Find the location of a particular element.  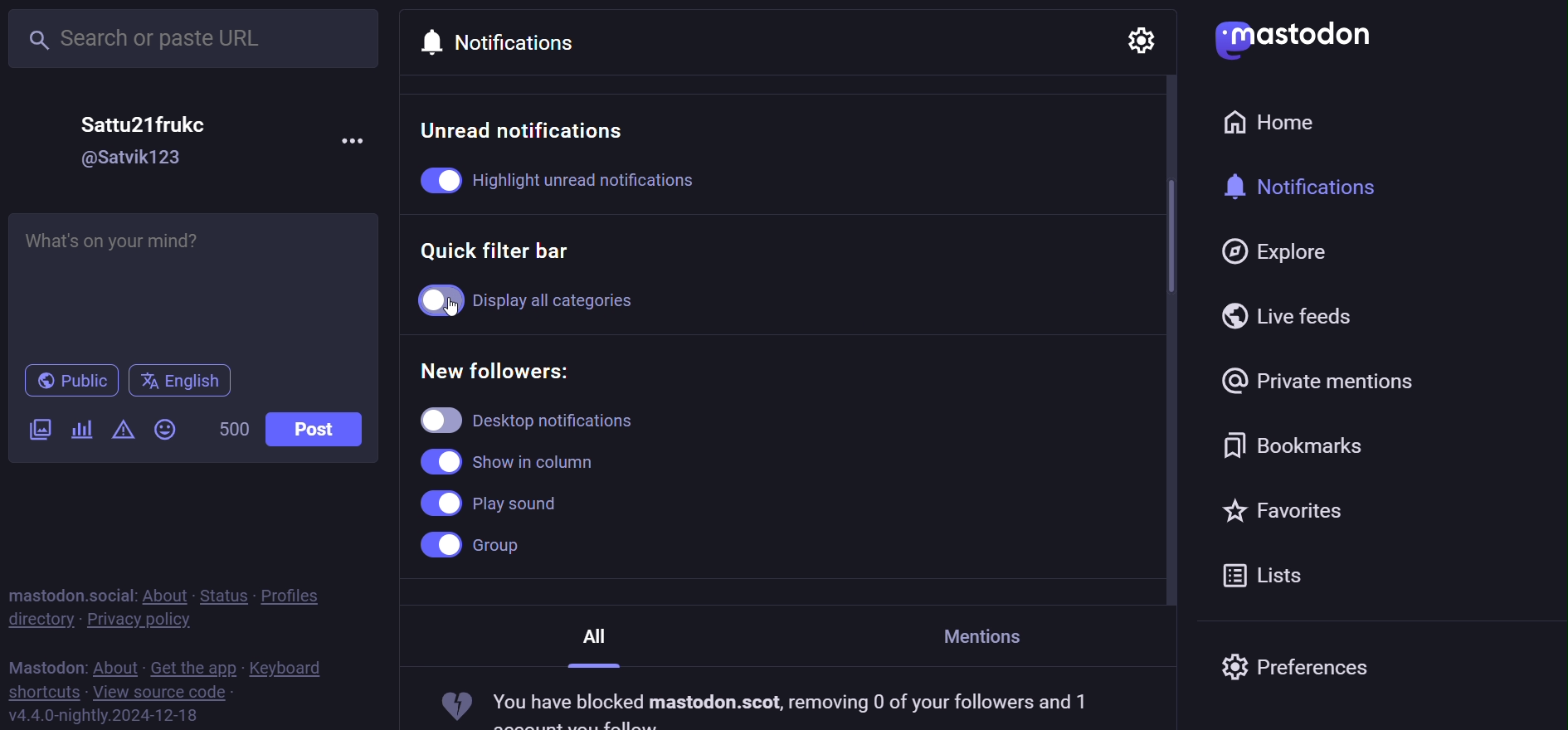

post is located at coordinates (316, 429).